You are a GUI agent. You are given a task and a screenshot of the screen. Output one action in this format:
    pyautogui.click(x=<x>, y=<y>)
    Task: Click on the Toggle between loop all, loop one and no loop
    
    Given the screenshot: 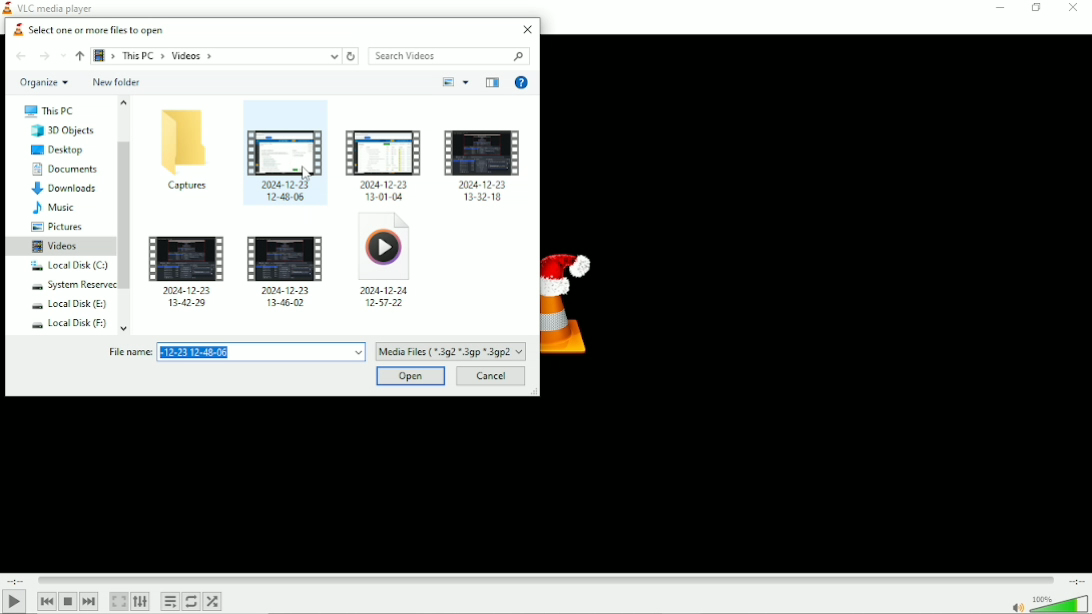 What is the action you would take?
    pyautogui.click(x=191, y=602)
    